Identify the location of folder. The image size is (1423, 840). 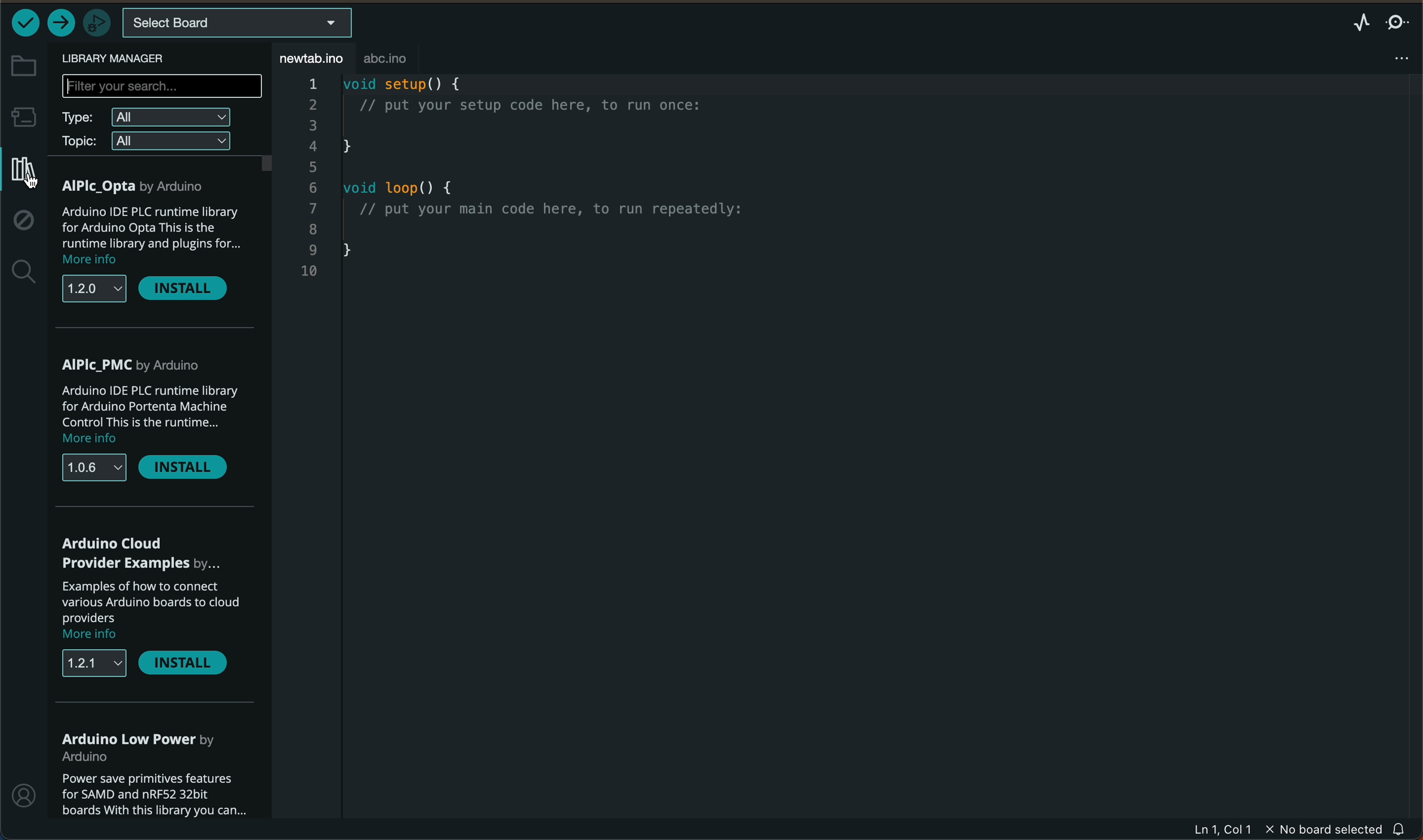
(23, 66).